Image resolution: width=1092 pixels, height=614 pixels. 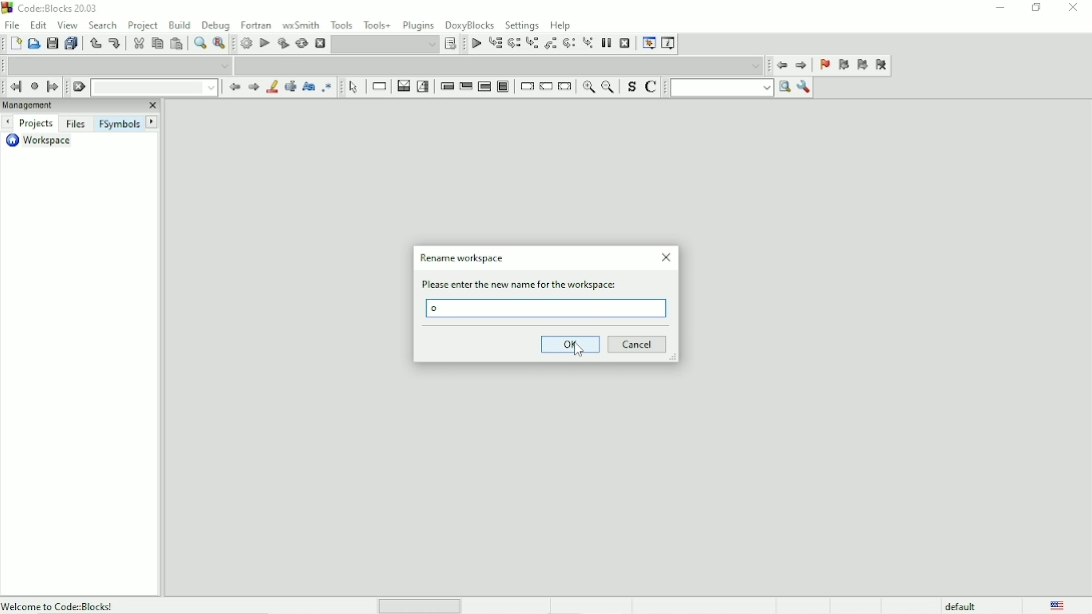 I want to click on Next instruction, so click(x=569, y=44).